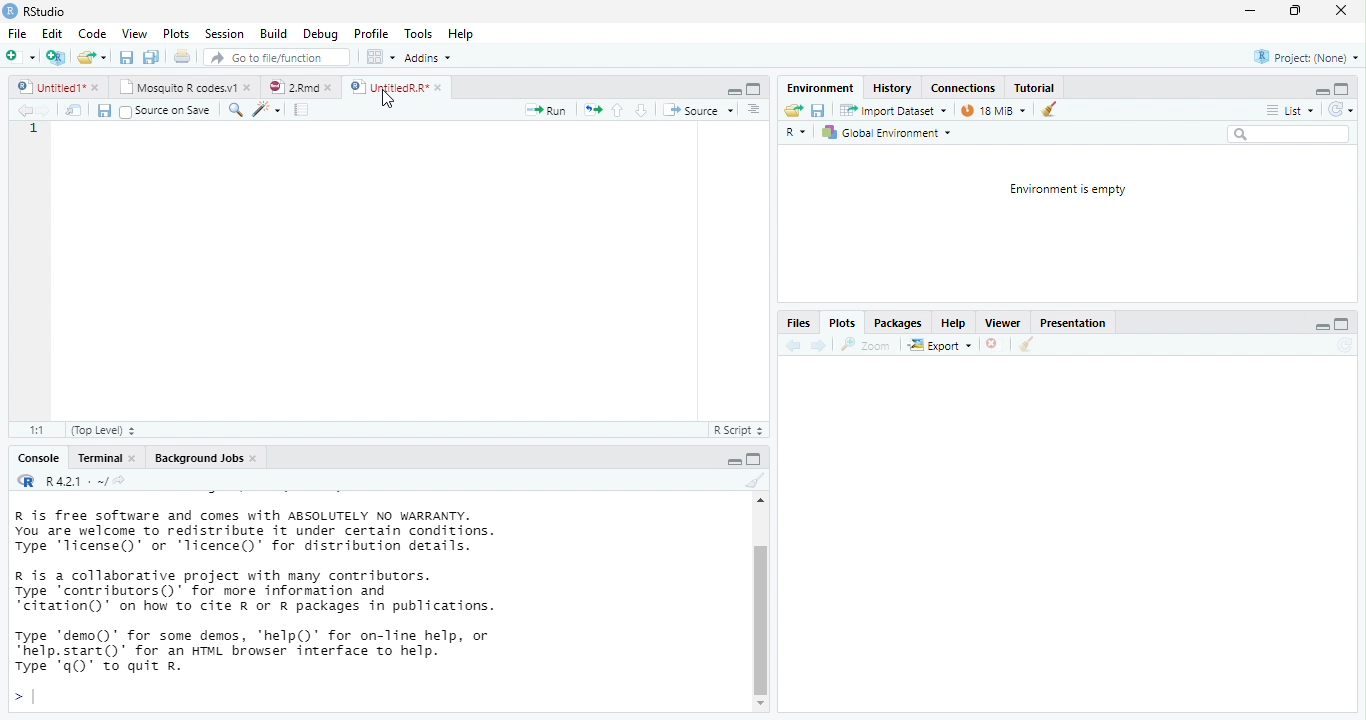  What do you see at coordinates (898, 323) in the screenshot?
I see `Packages` at bounding box center [898, 323].